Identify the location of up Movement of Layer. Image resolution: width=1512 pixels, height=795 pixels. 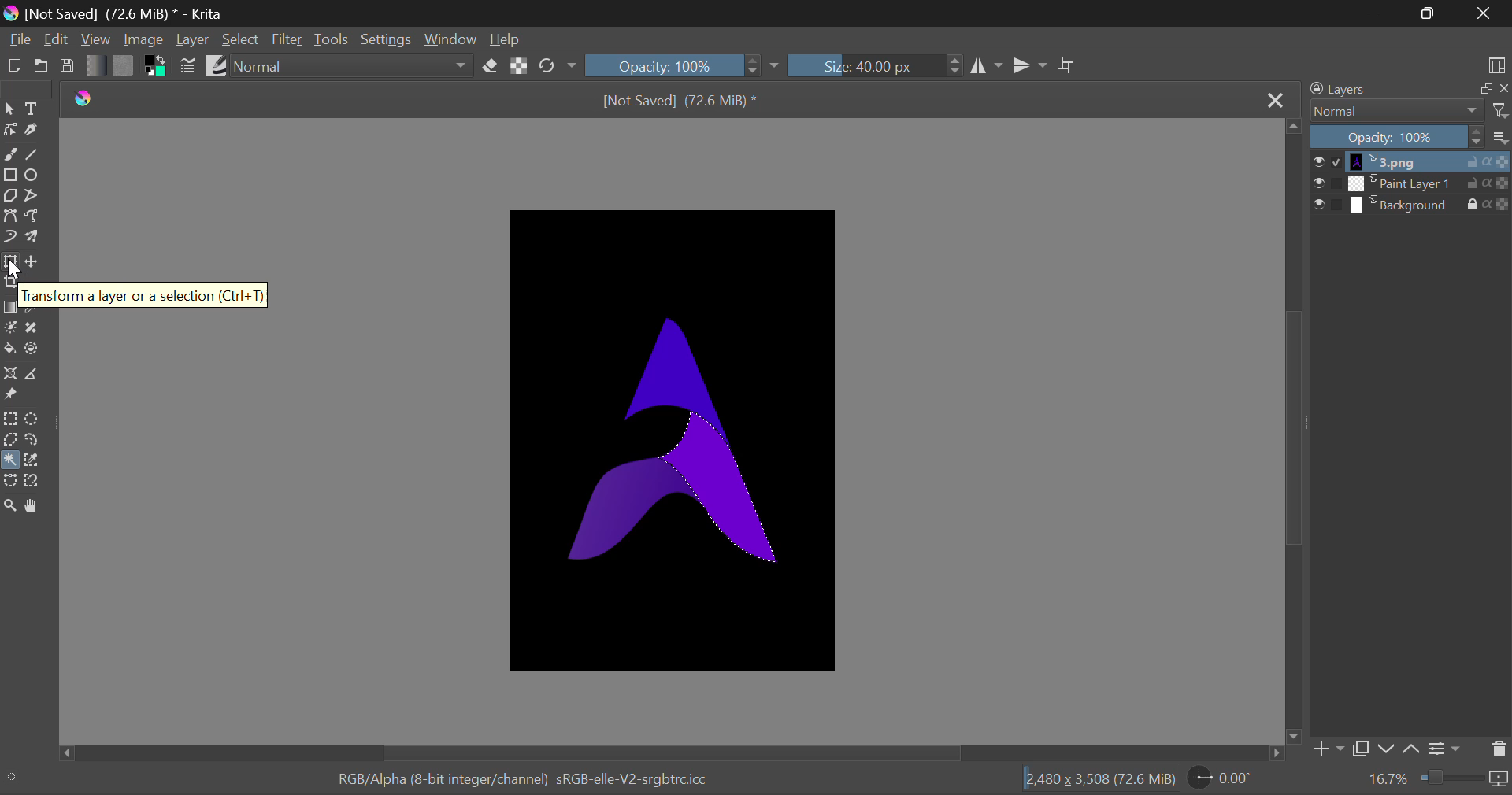
(1411, 749).